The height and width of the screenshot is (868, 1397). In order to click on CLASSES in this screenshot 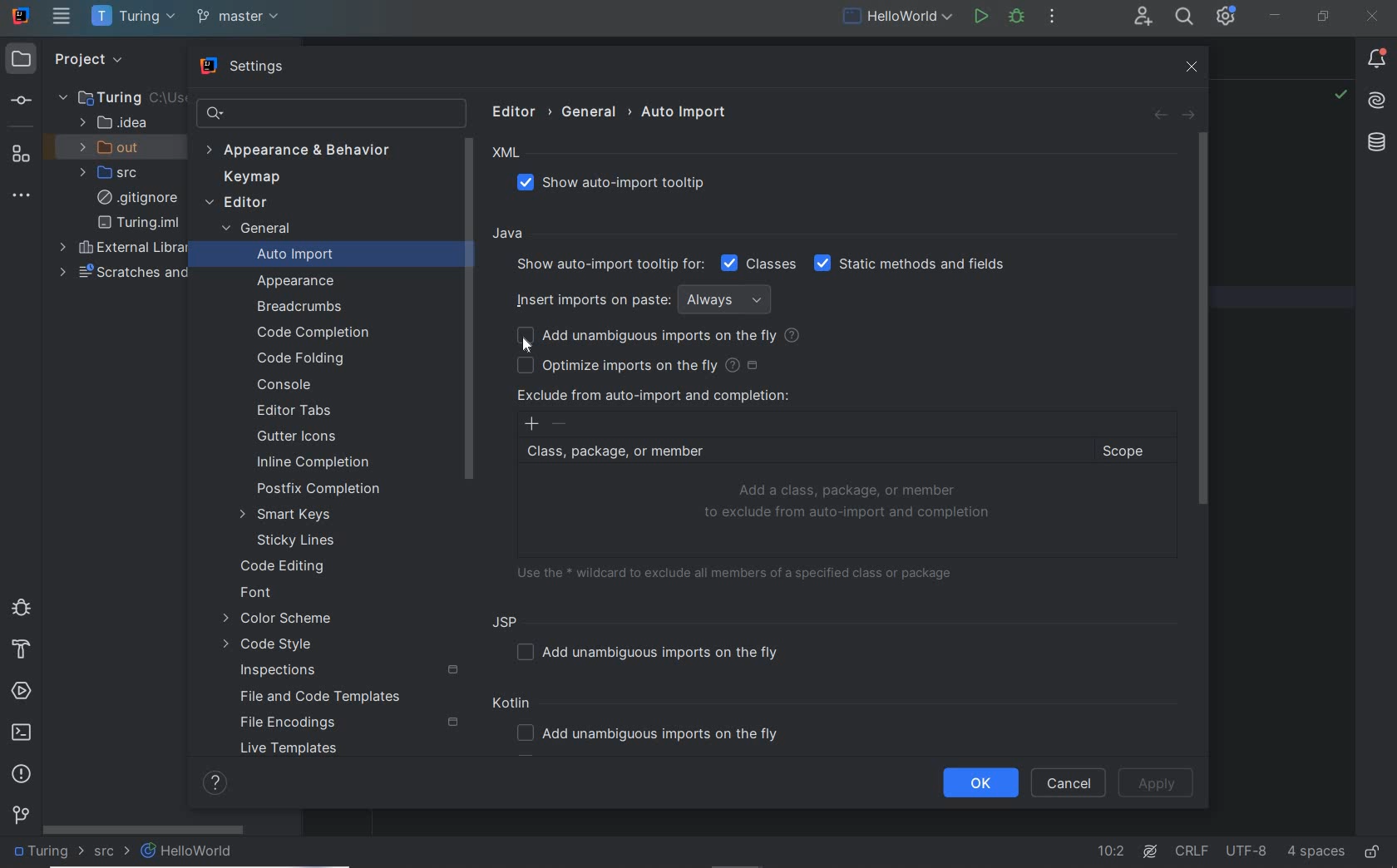, I will do `click(759, 263)`.